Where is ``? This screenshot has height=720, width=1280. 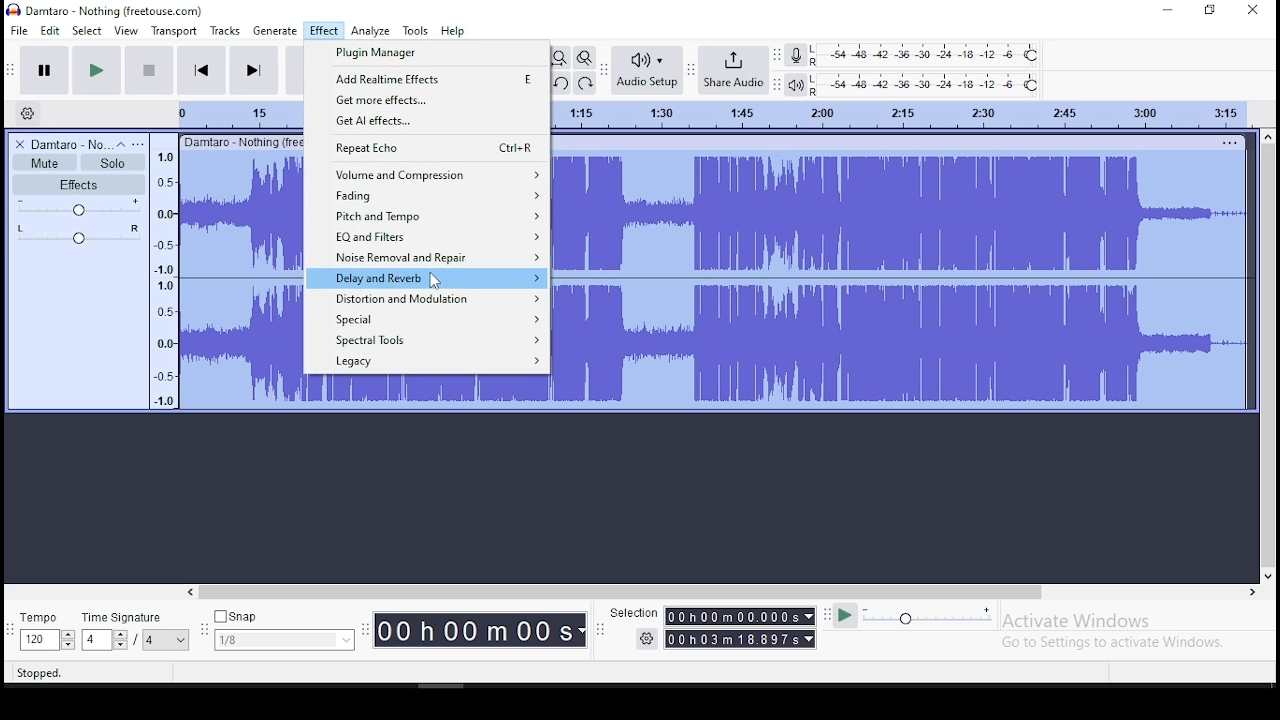
 is located at coordinates (161, 280).